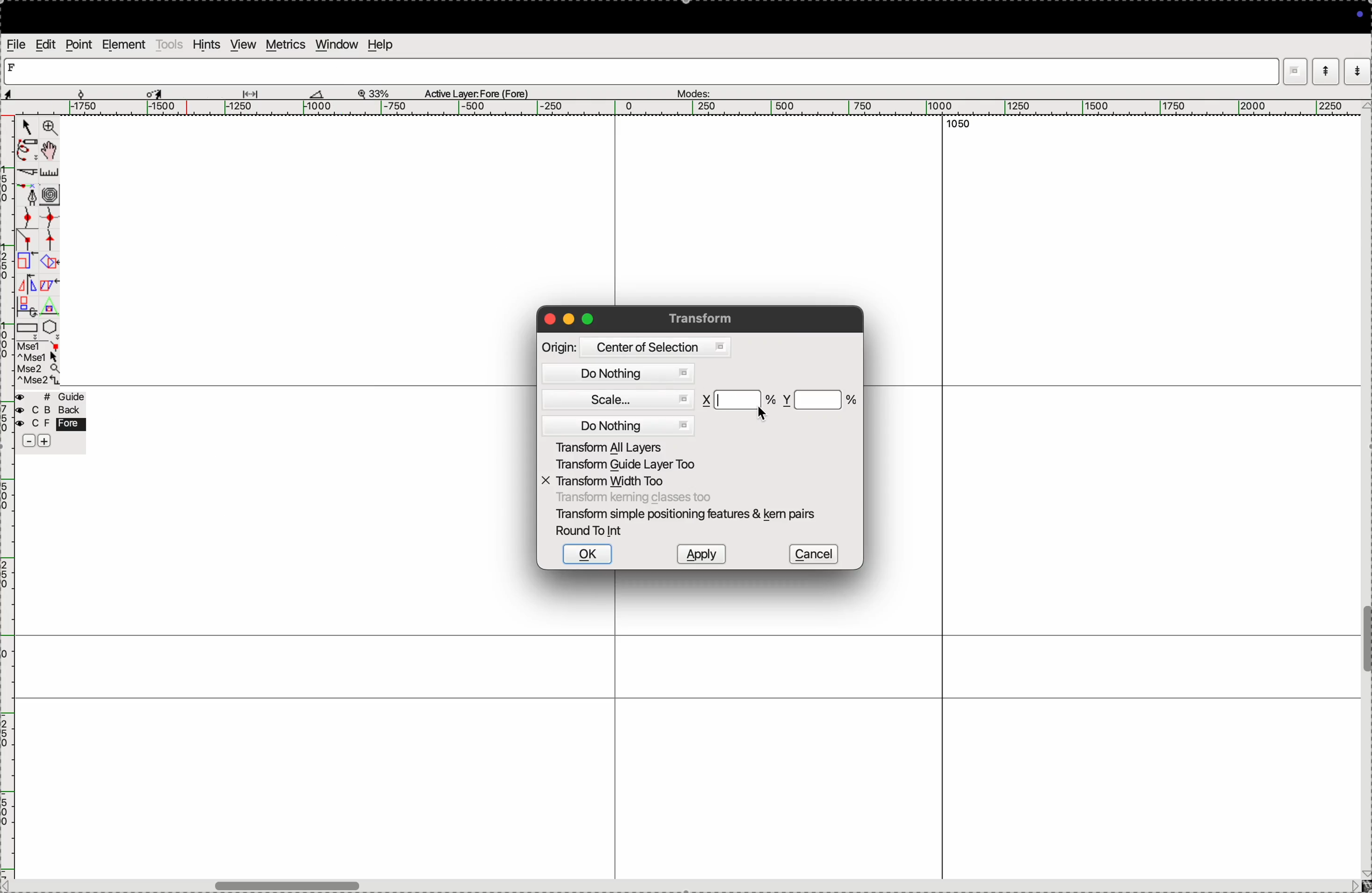  I want to click on maximize, so click(587, 318).